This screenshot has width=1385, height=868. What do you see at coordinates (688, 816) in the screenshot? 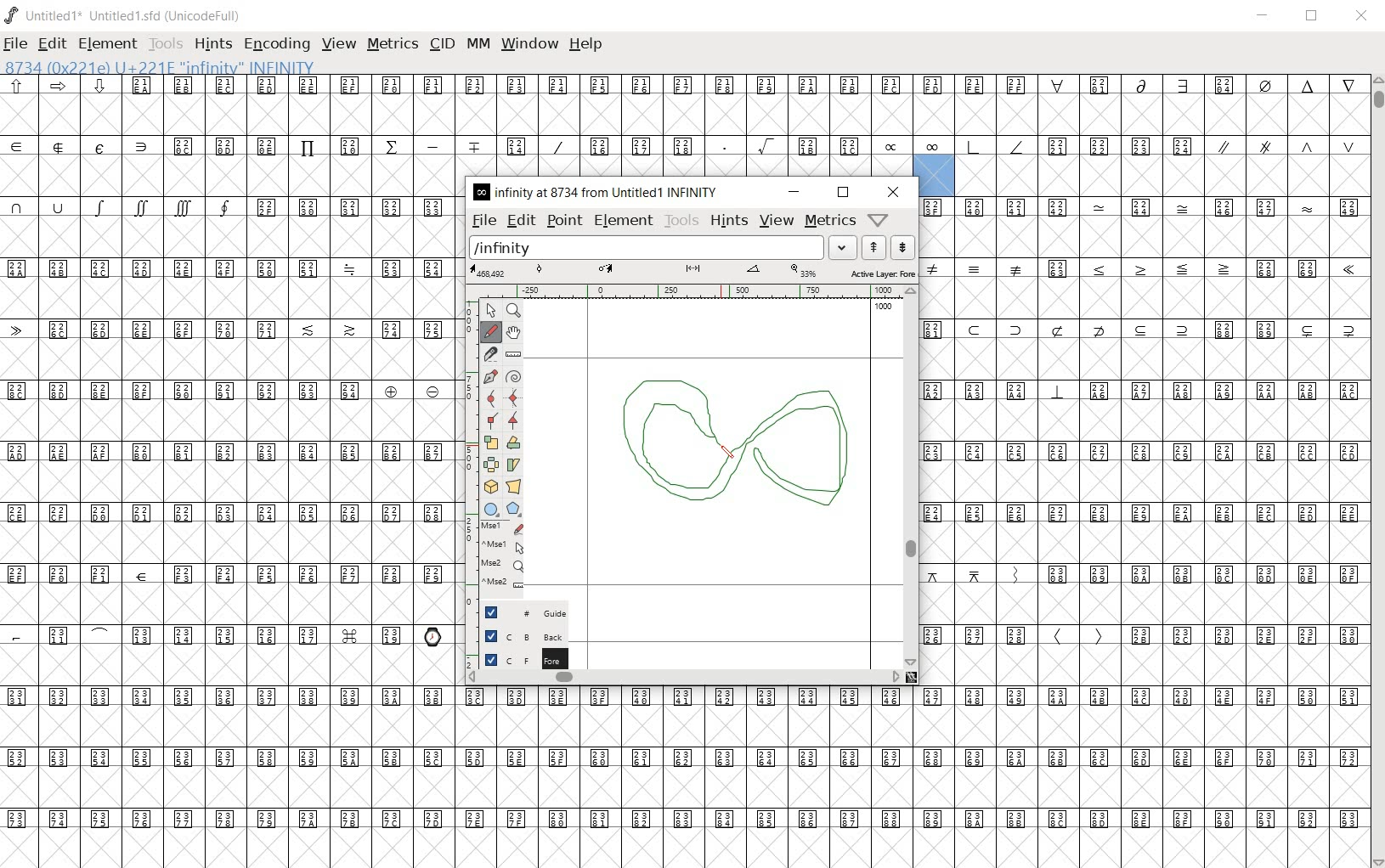
I see `Unicode code points` at bounding box center [688, 816].